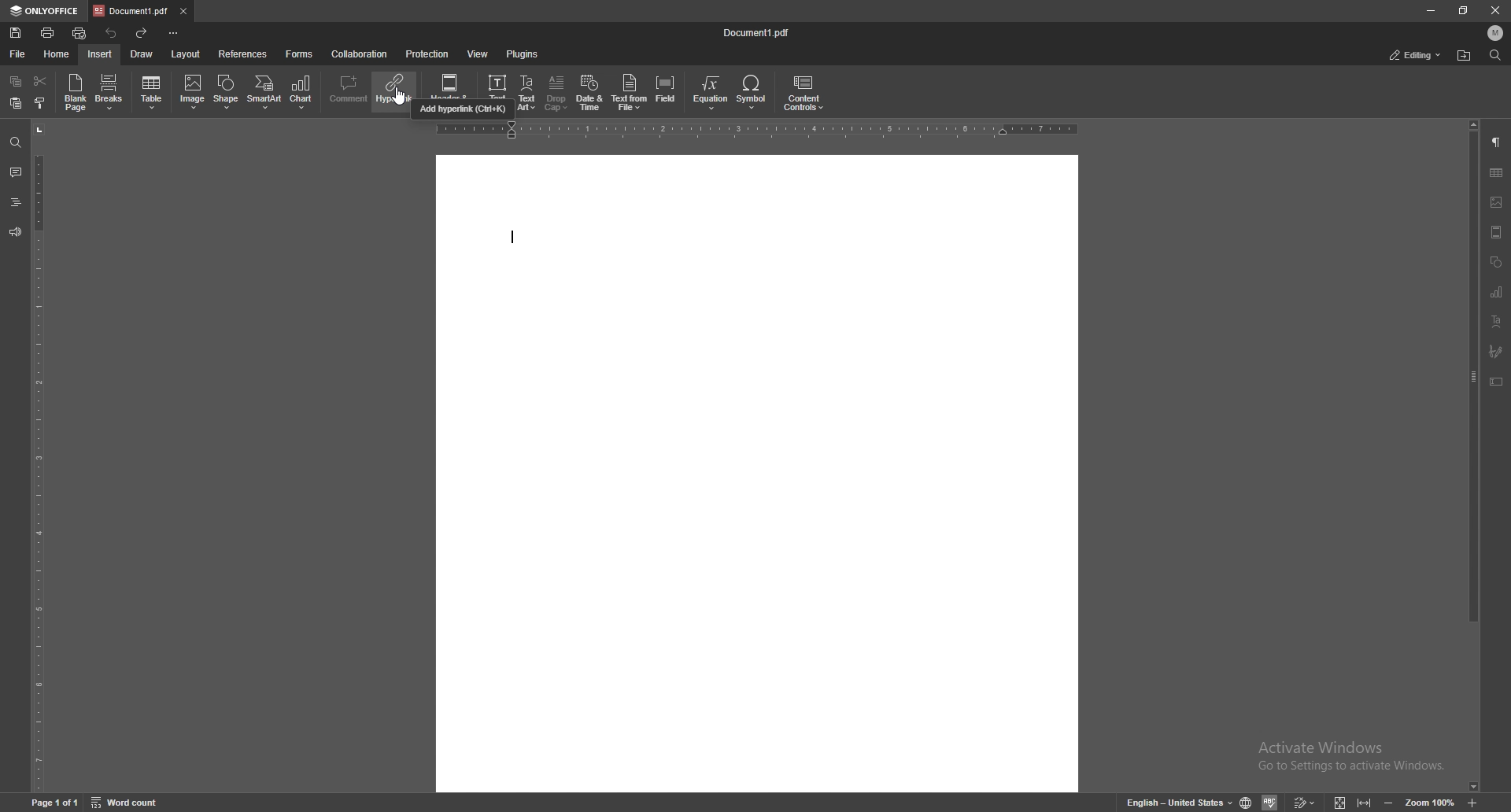 The height and width of the screenshot is (812, 1511). Describe the element at coordinates (478, 54) in the screenshot. I see `view` at that location.